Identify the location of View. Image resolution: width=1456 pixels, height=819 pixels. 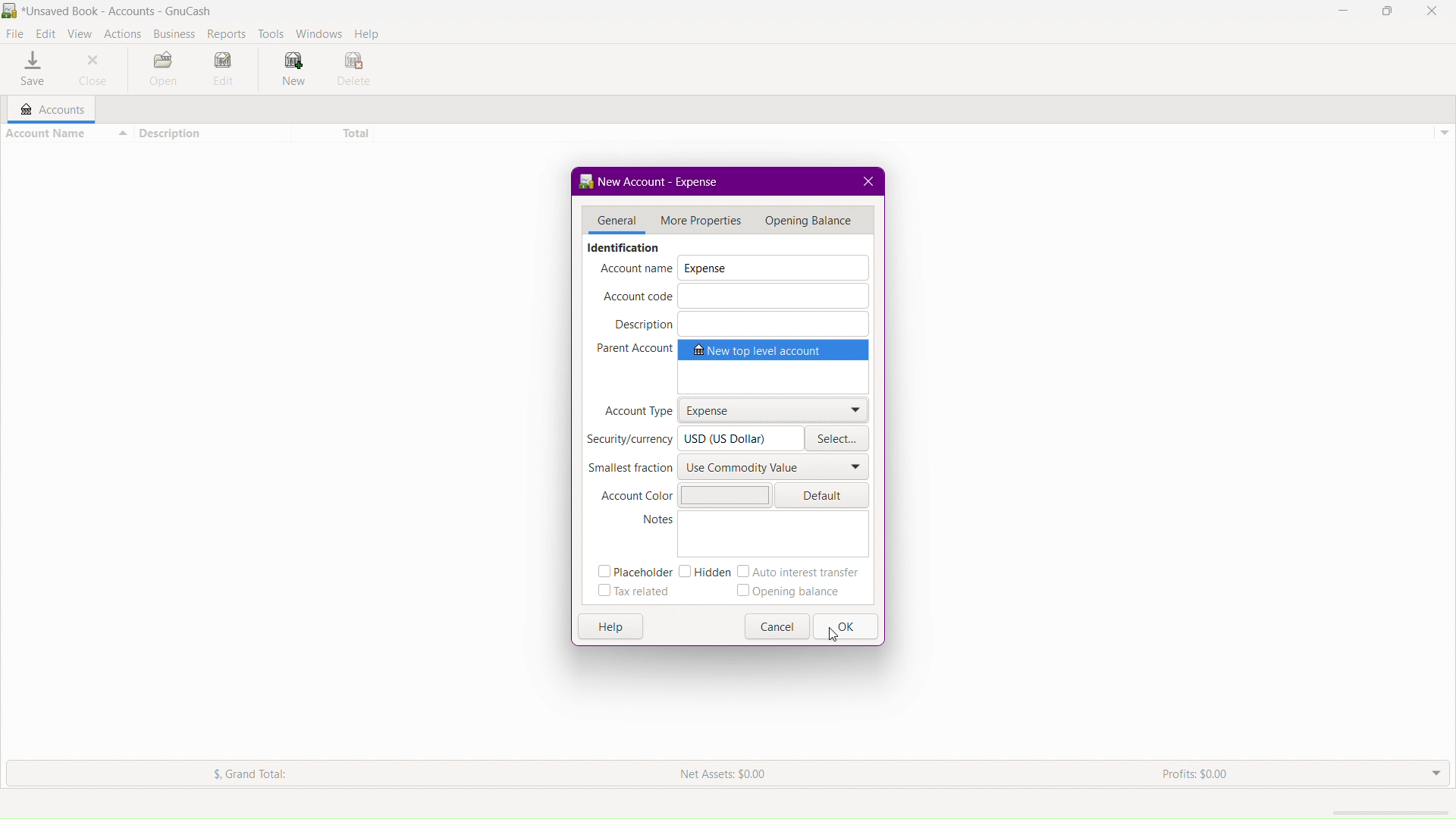
(83, 33).